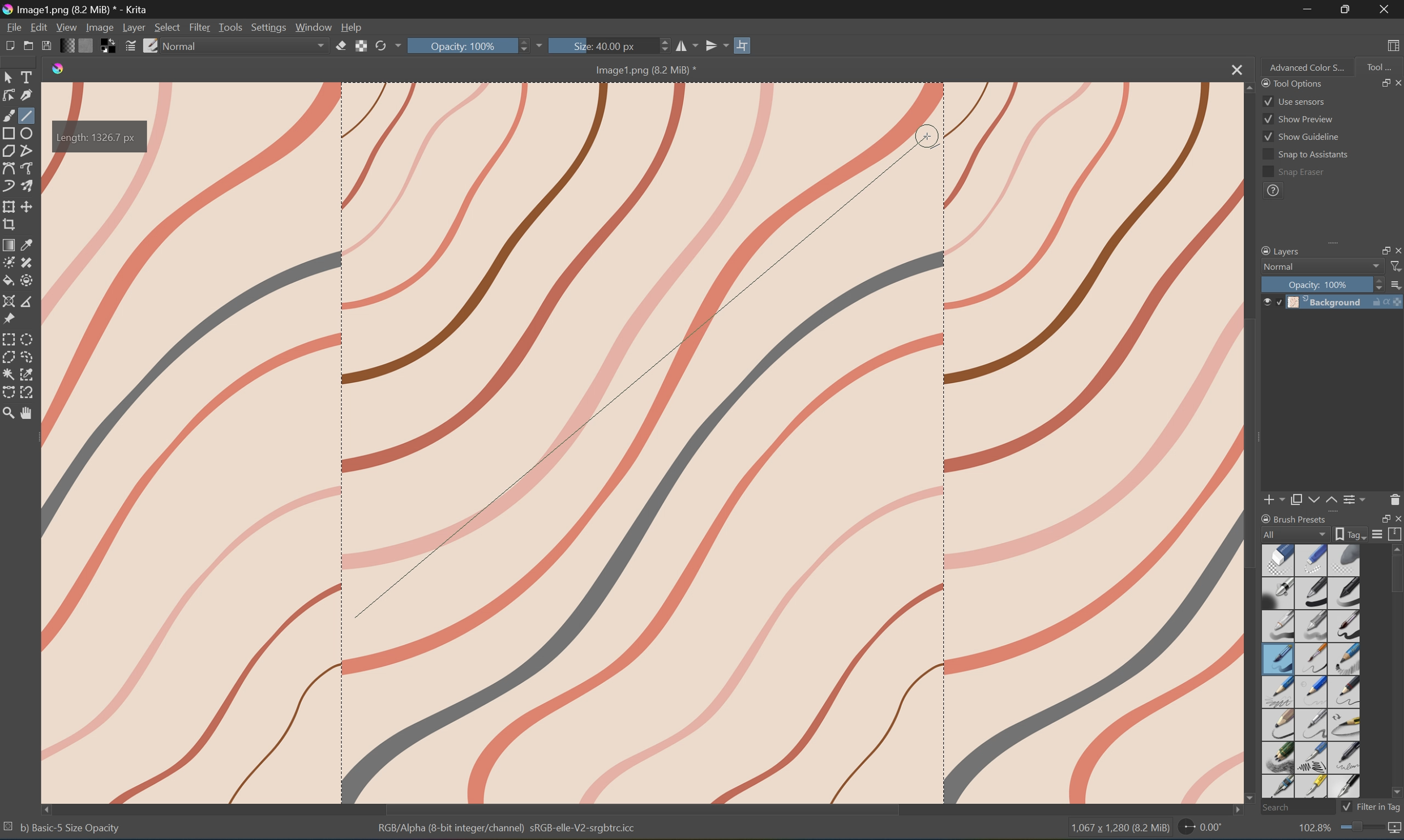 The height and width of the screenshot is (840, 1404). Describe the element at coordinates (1332, 500) in the screenshot. I see `Move layer or mask up` at that location.